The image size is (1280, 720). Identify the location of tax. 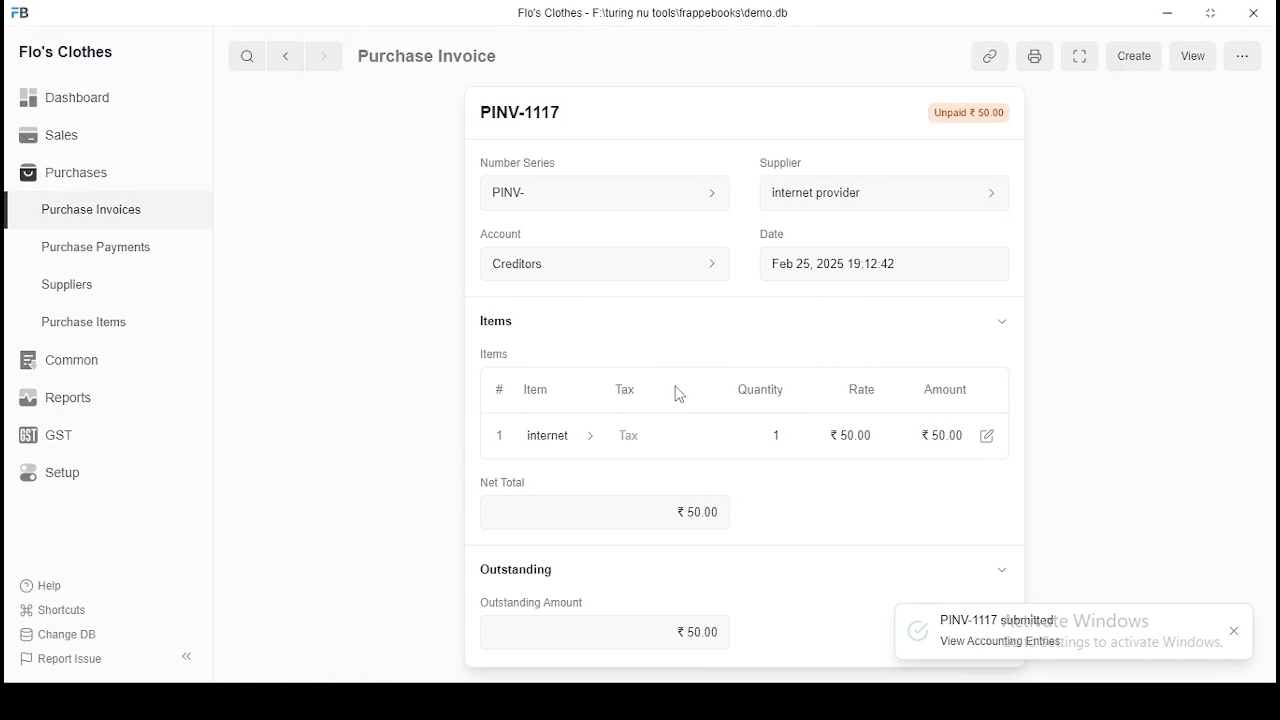
(623, 390).